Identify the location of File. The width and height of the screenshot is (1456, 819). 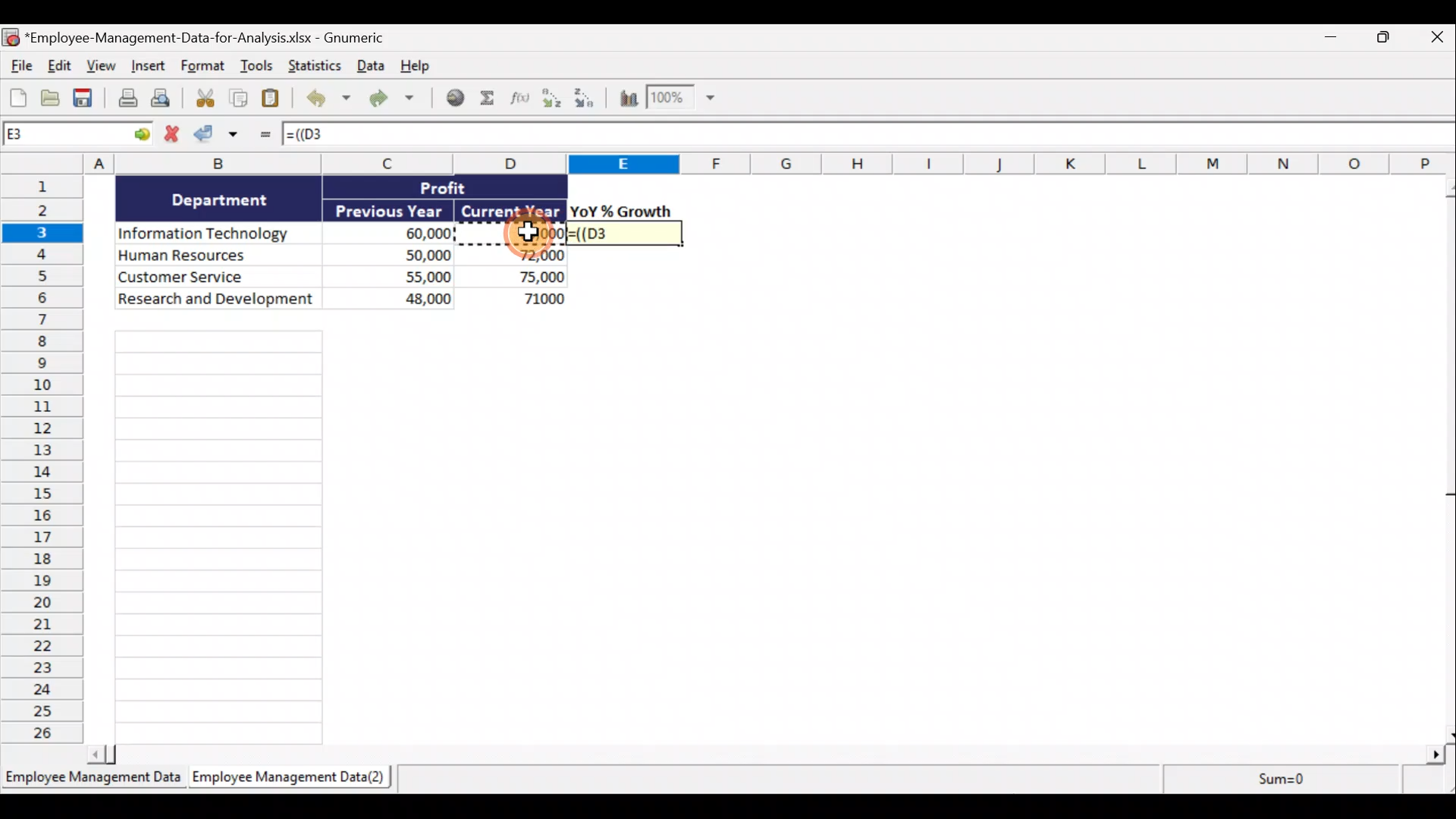
(19, 64).